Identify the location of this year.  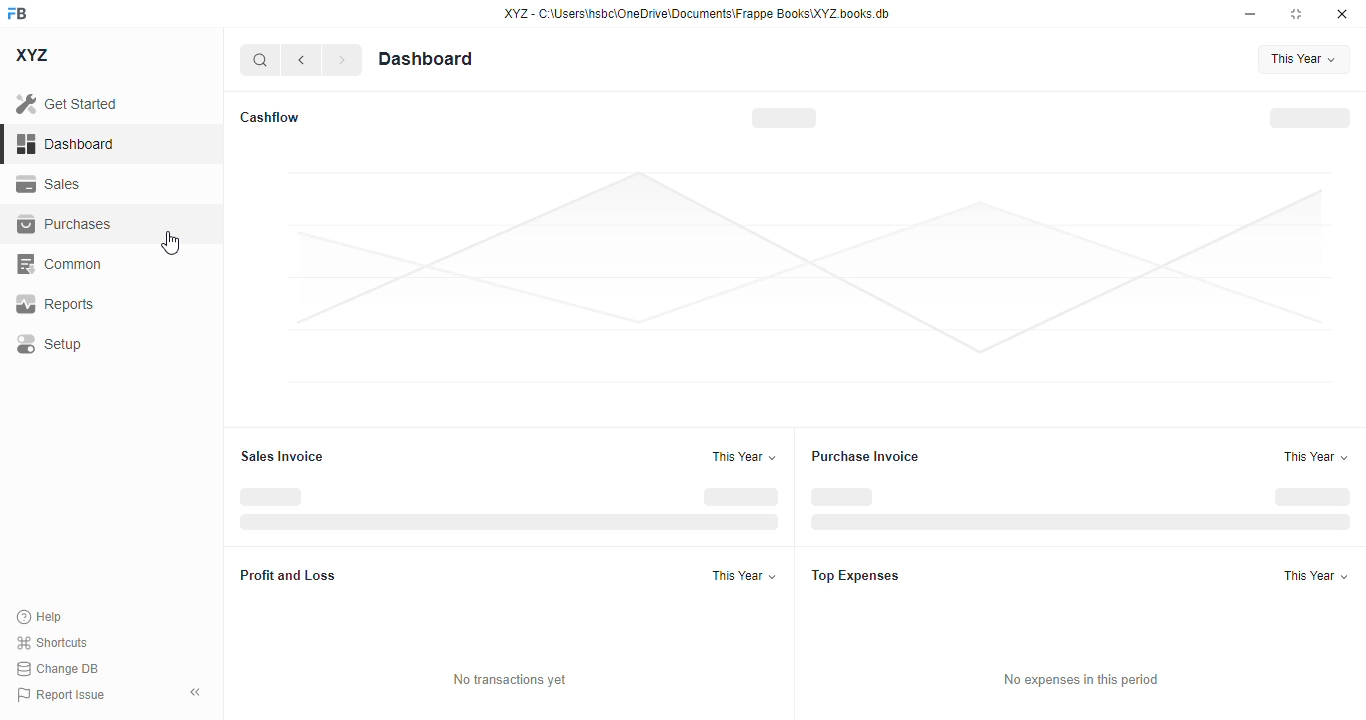
(1303, 59).